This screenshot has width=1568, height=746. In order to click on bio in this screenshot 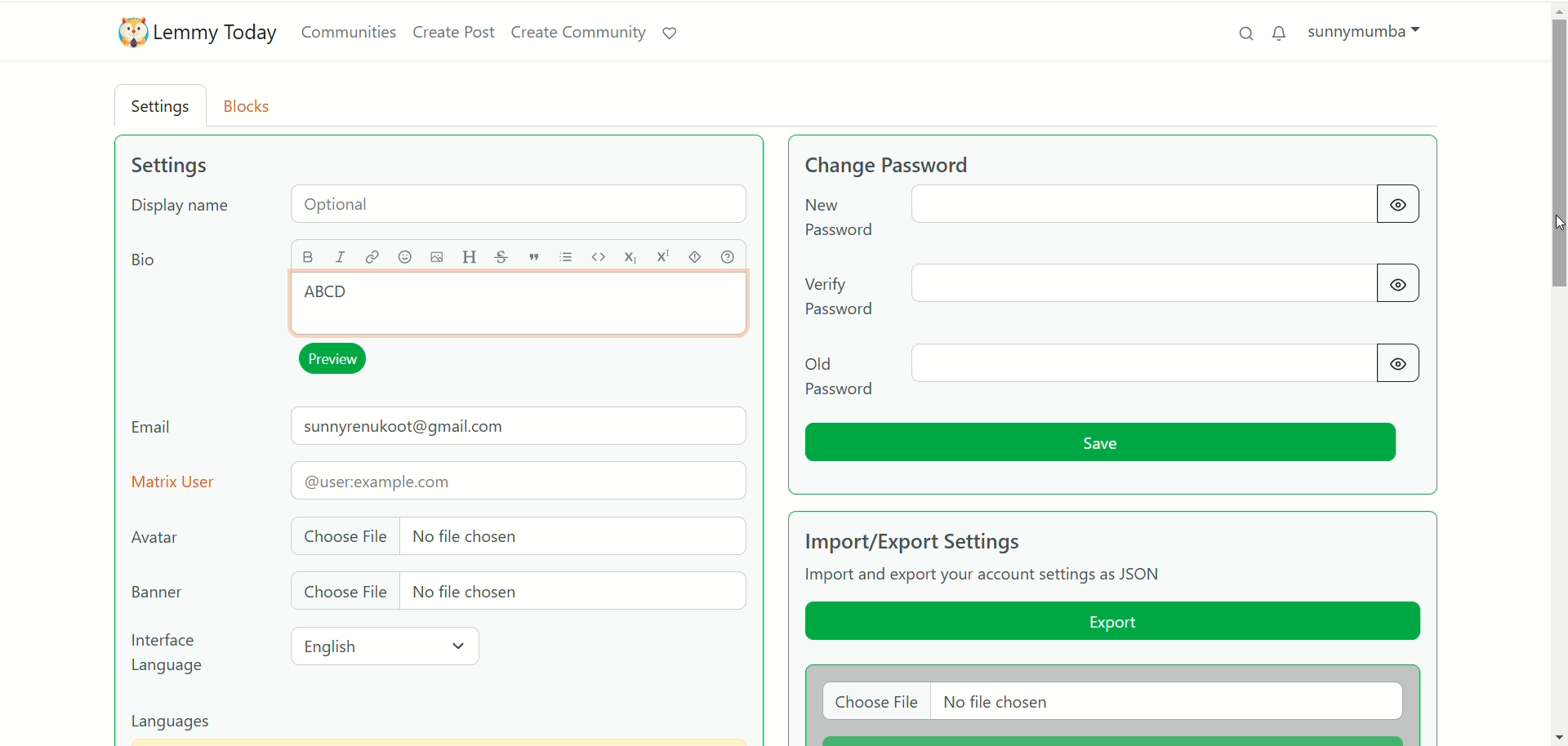, I will do `click(140, 262)`.